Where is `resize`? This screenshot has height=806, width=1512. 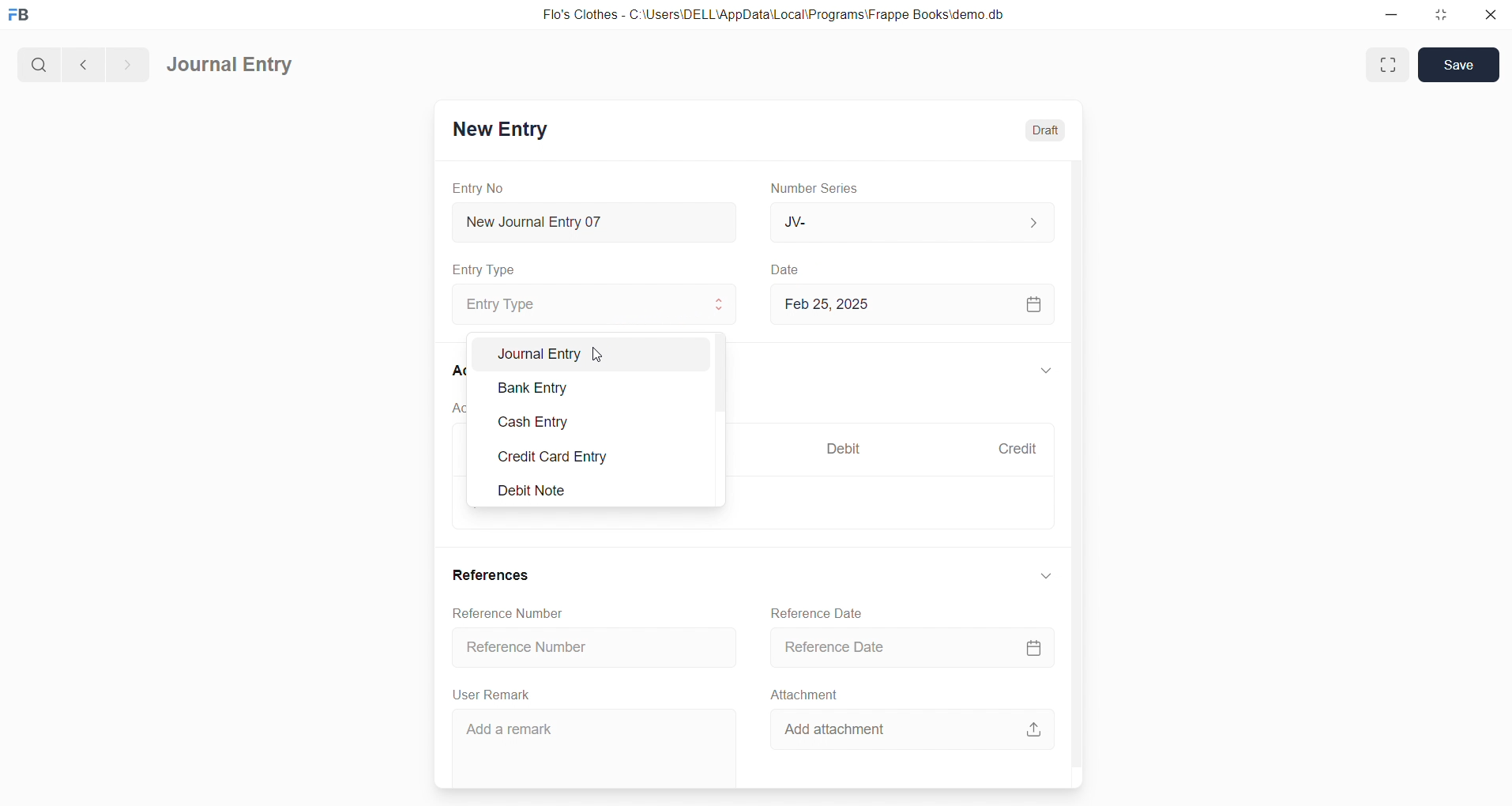 resize is located at coordinates (1439, 16).